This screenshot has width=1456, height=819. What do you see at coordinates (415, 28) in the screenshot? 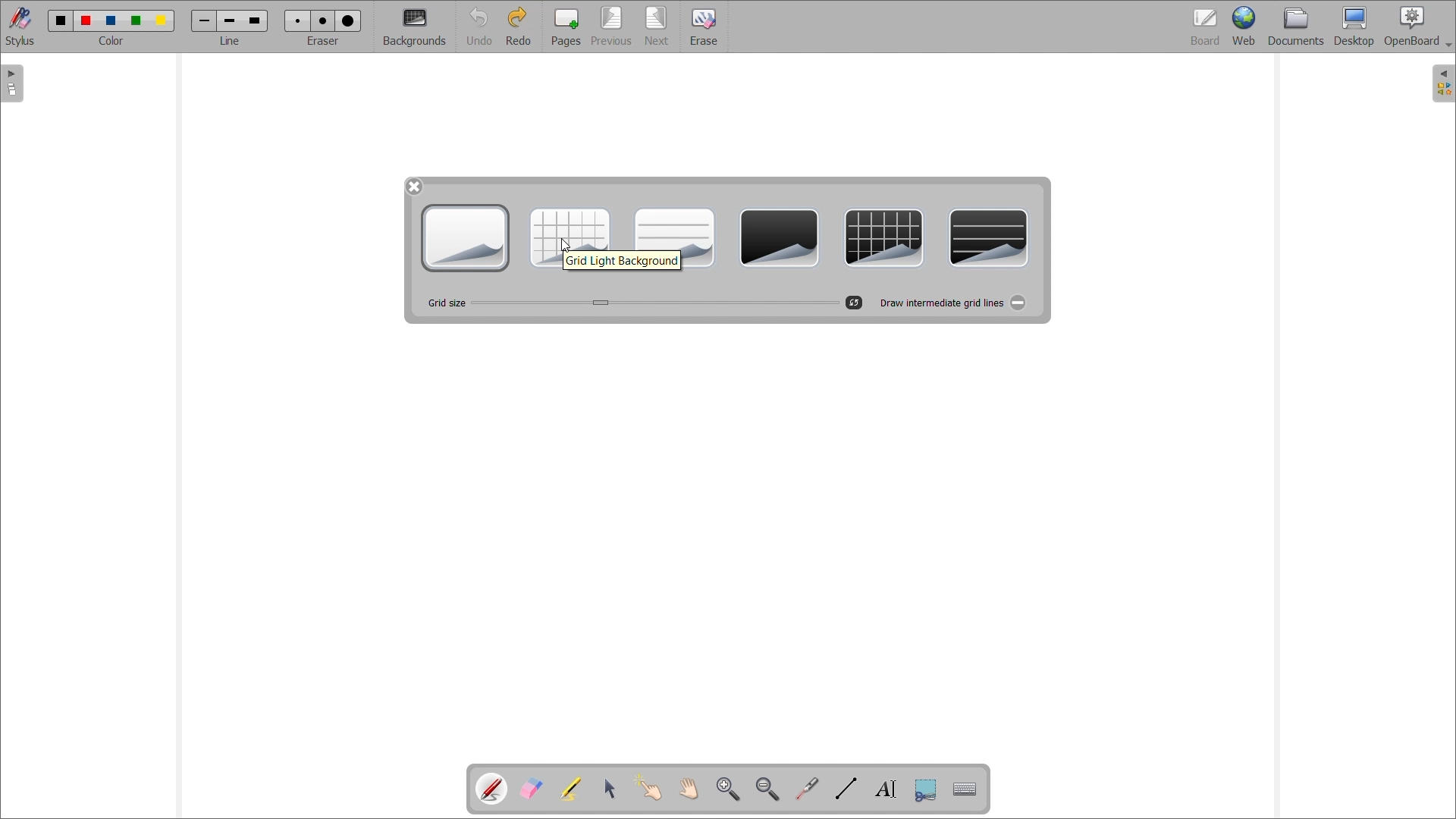
I see `Change background` at bounding box center [415, 28].